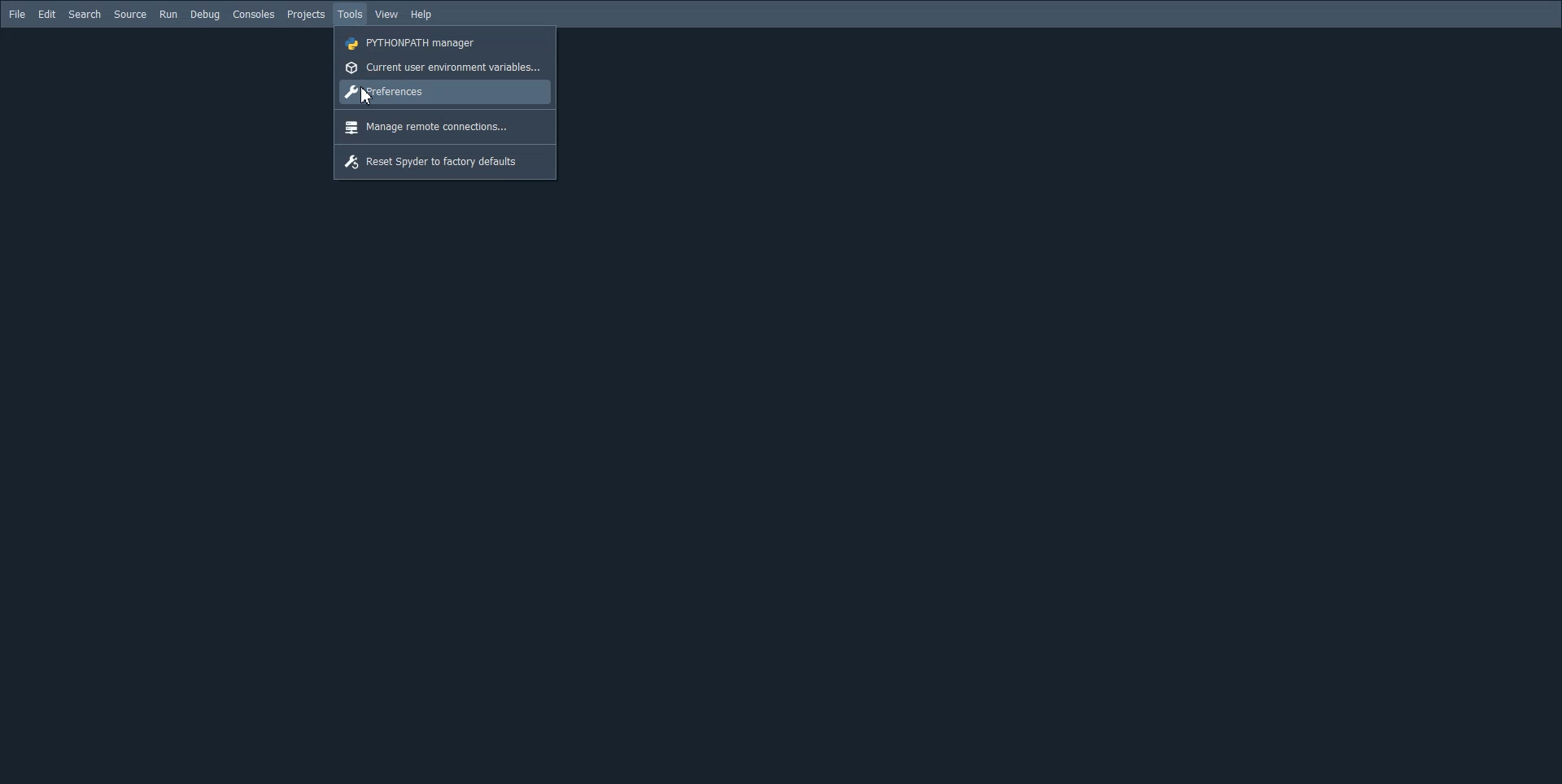  I want to click on Consoles, so click(254, 15).